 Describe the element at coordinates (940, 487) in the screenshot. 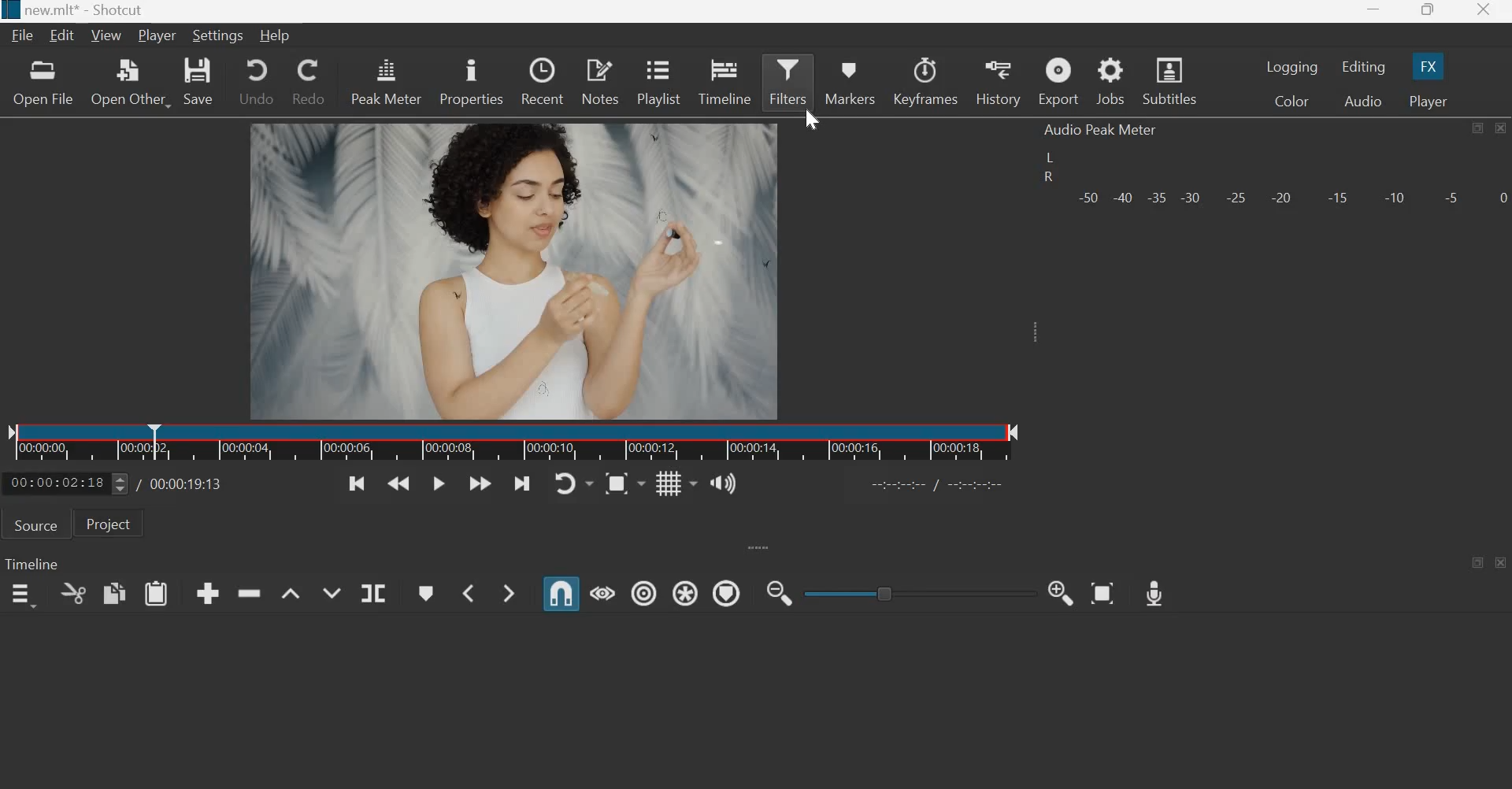

I see `in point` at that location.